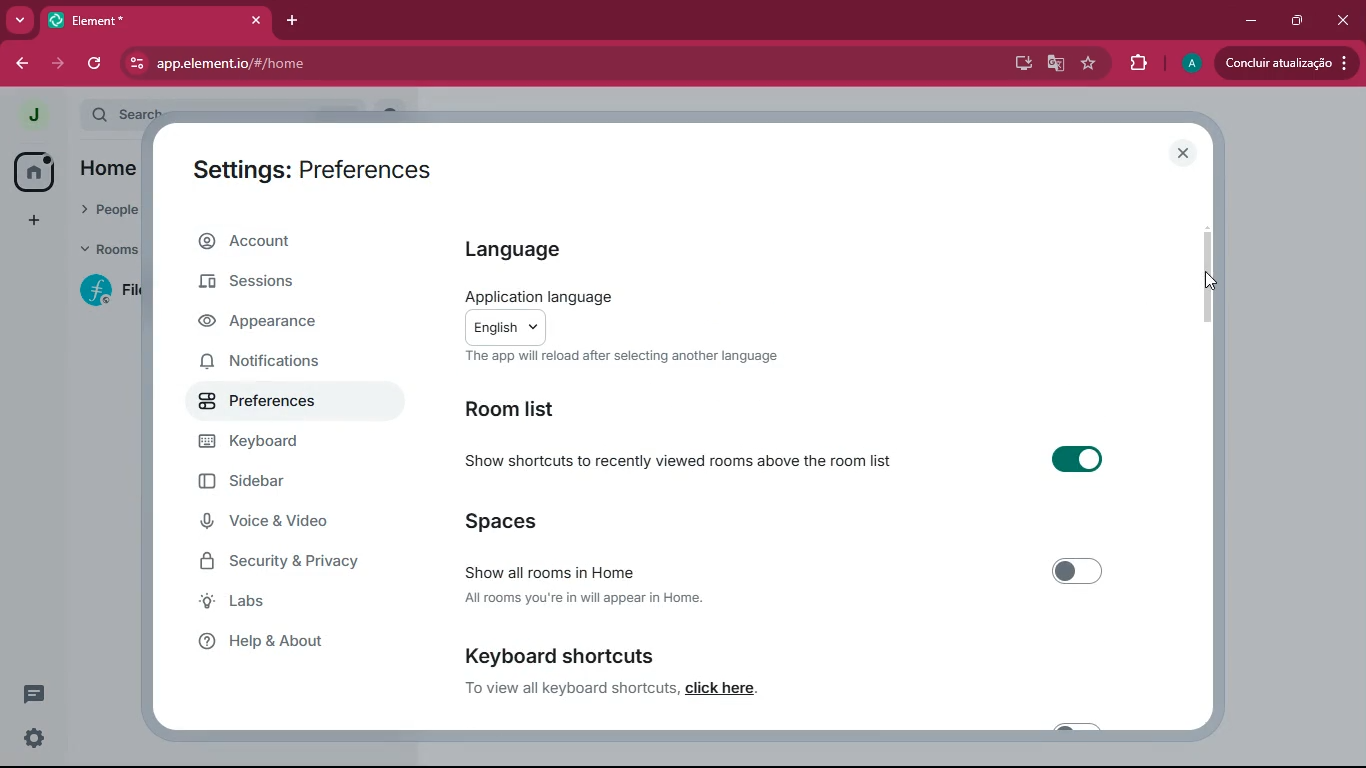 The height and width of the screenshot is (768, 1366). I want to click on keyboard shortcuts, so click(579, 655).